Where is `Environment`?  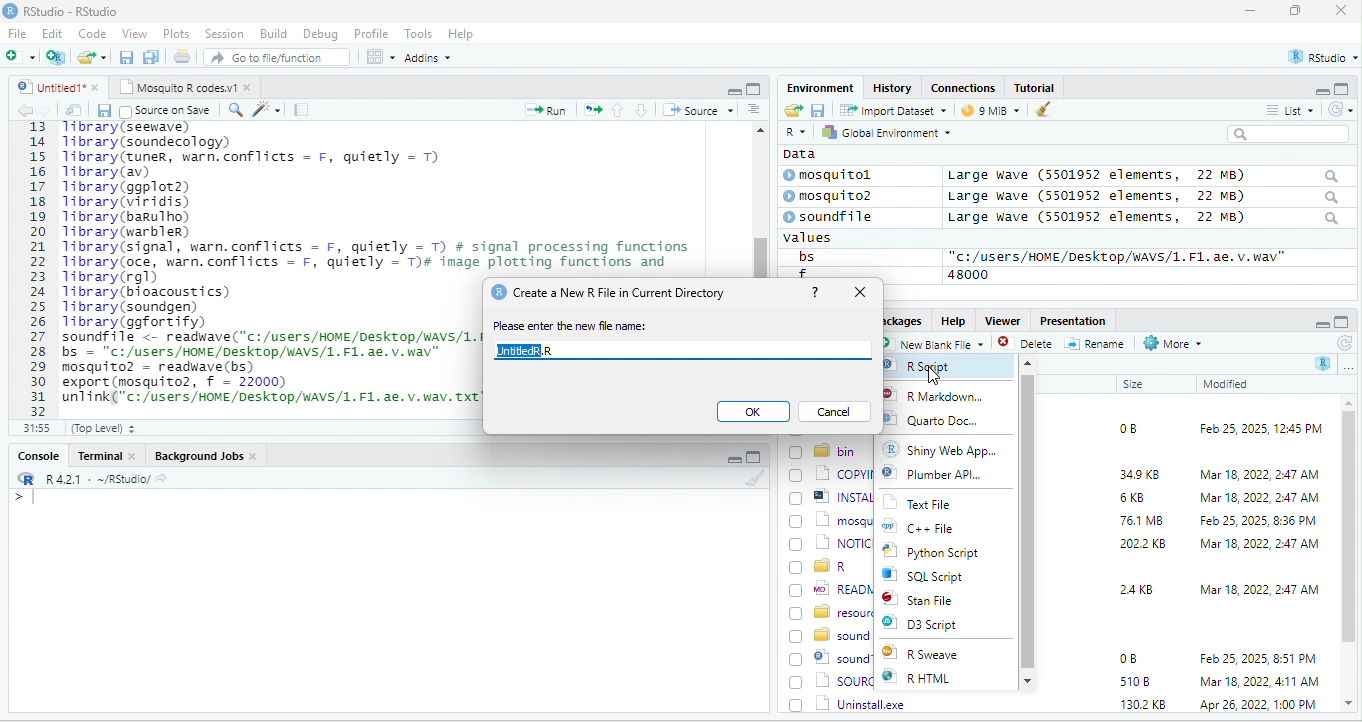
Environment is located at coordinates (820, 87).